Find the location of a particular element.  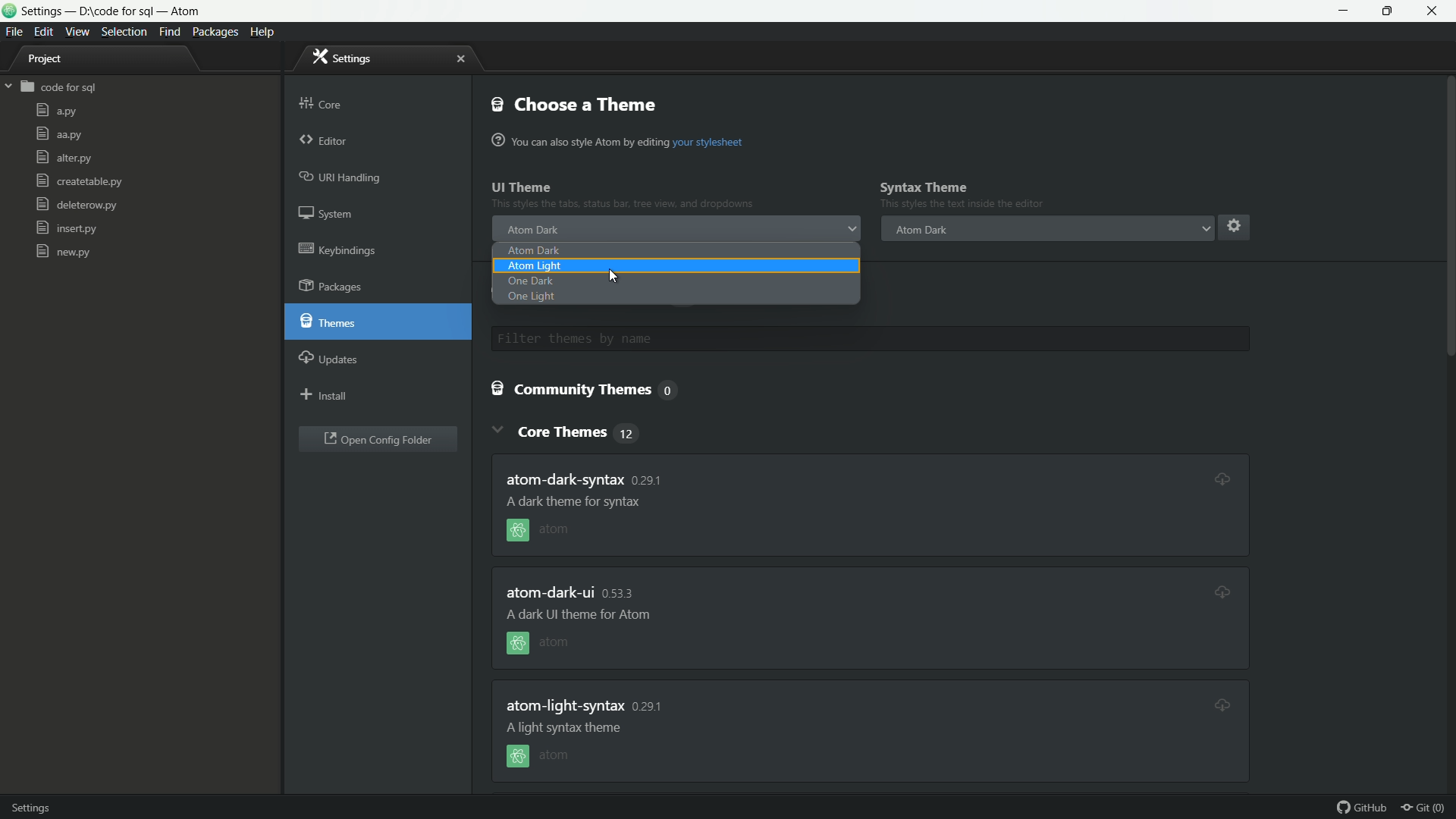

full screen is located at coordinates (1392, 11).